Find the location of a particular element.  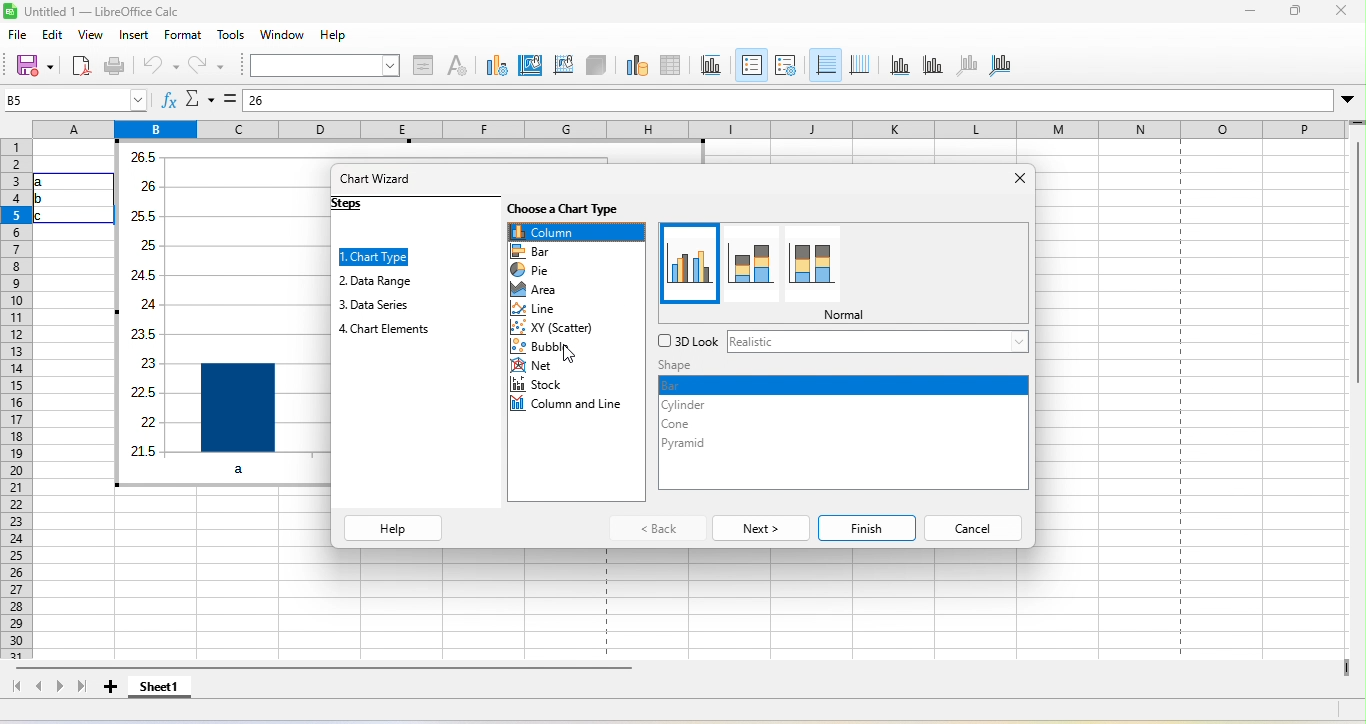

title is located at coordinates (96, 12).